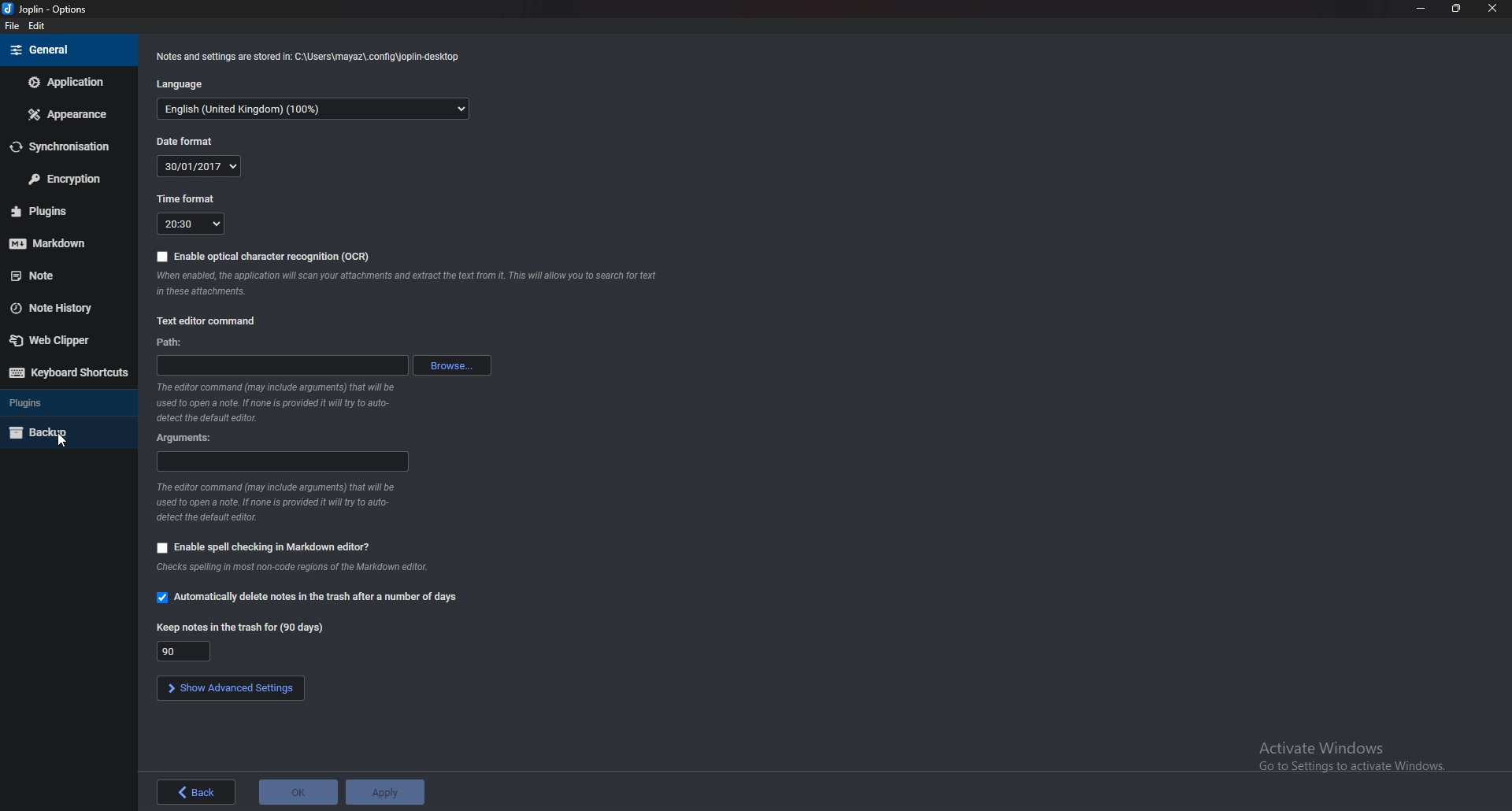 This screenshot has width=1512, height=811. I want to click on Web Clipper, so click(61, 339).